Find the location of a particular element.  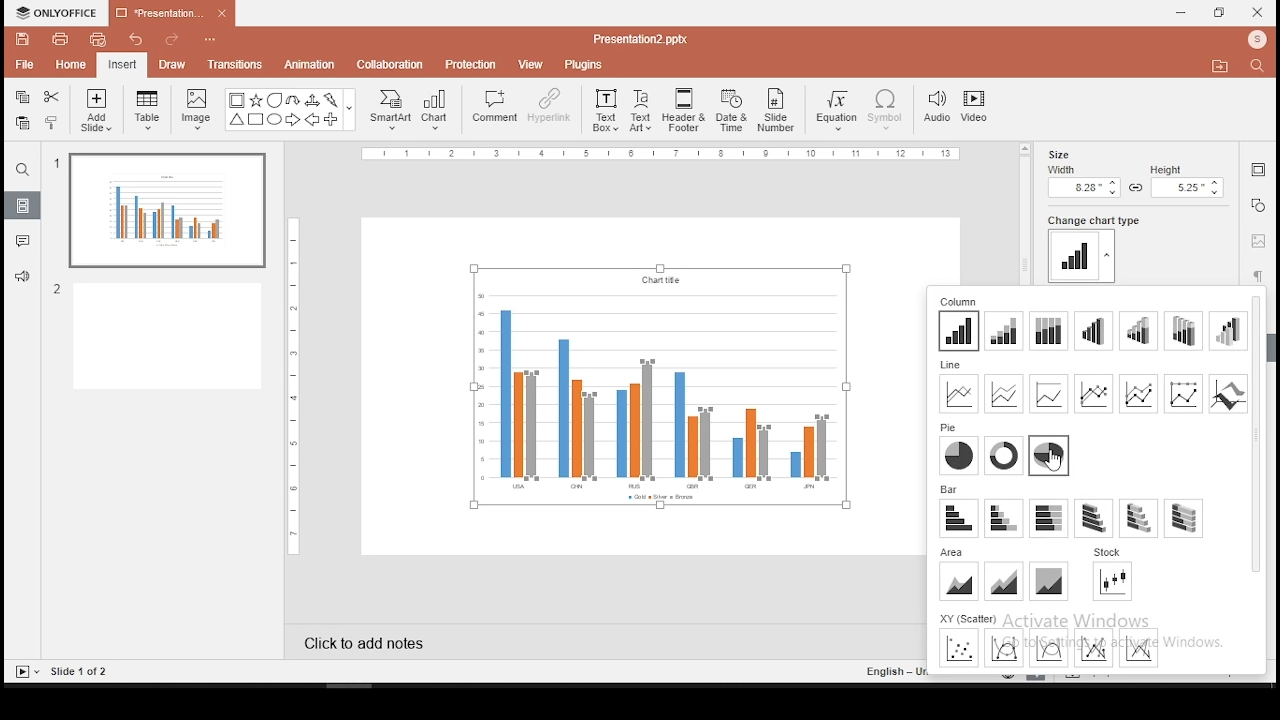

restore is located at coordinates (1219, 12).